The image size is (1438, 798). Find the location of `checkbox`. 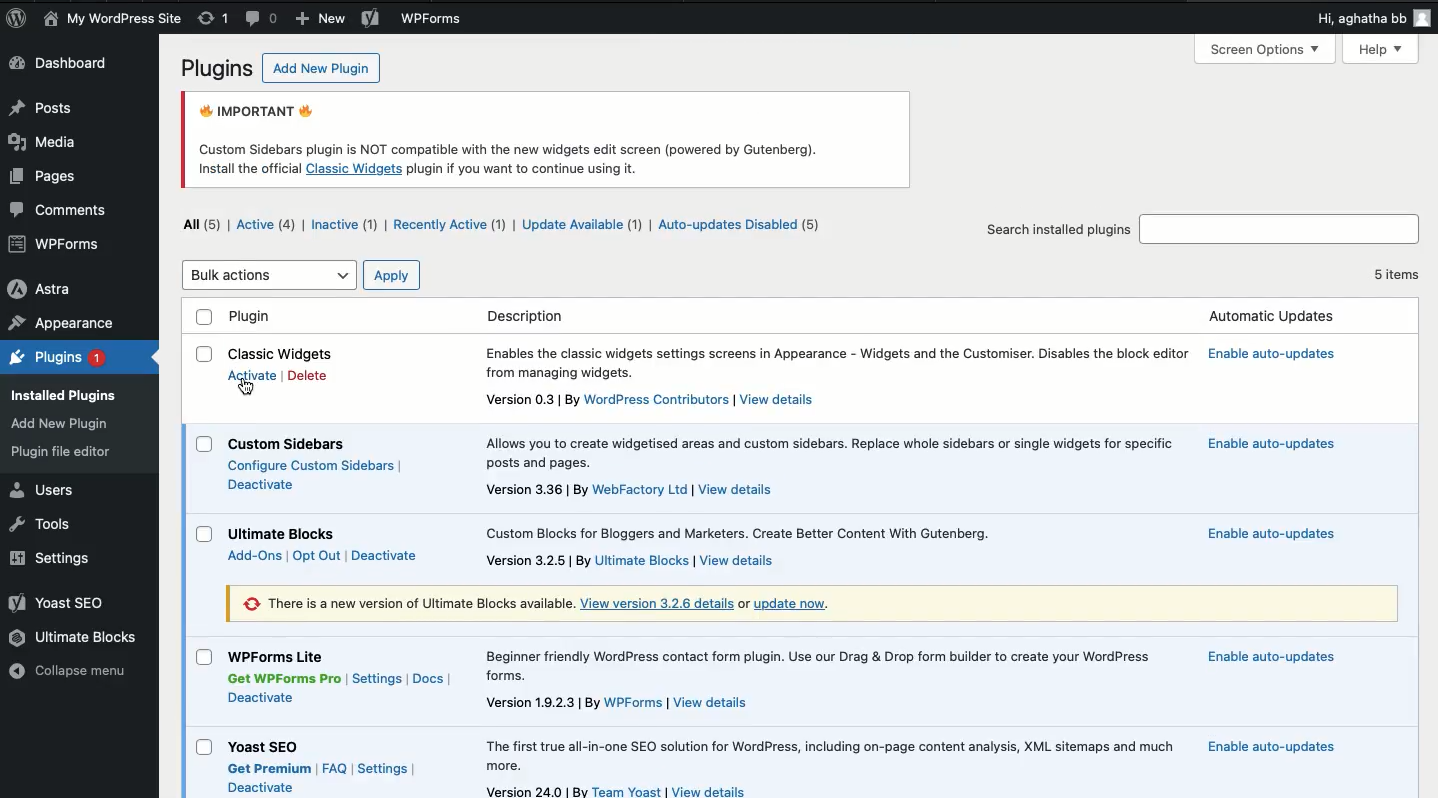

checkbox is located at coordinates (205, 534).